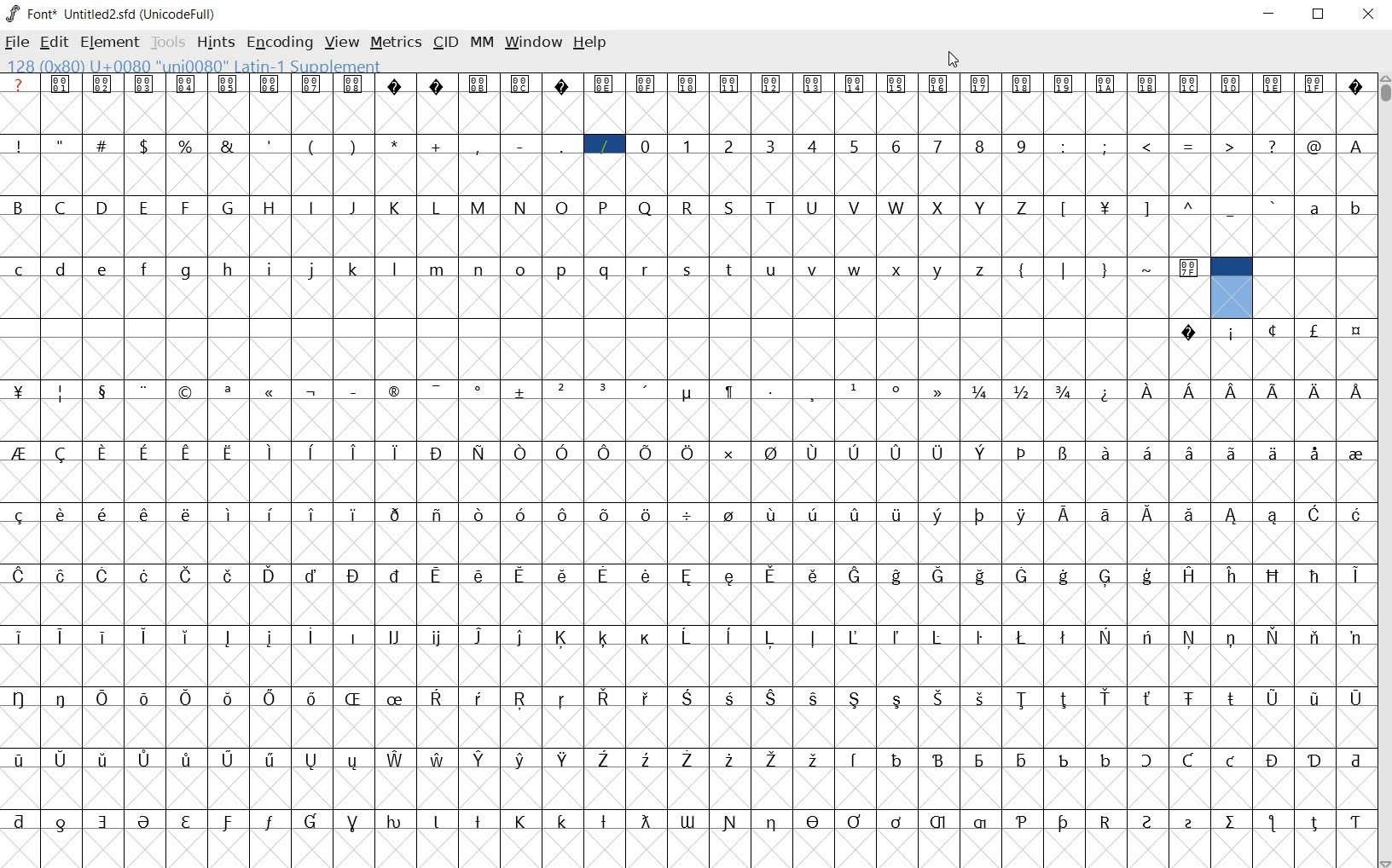 The image size is (1392, 868). I want to click on 3, so click(772, 146).